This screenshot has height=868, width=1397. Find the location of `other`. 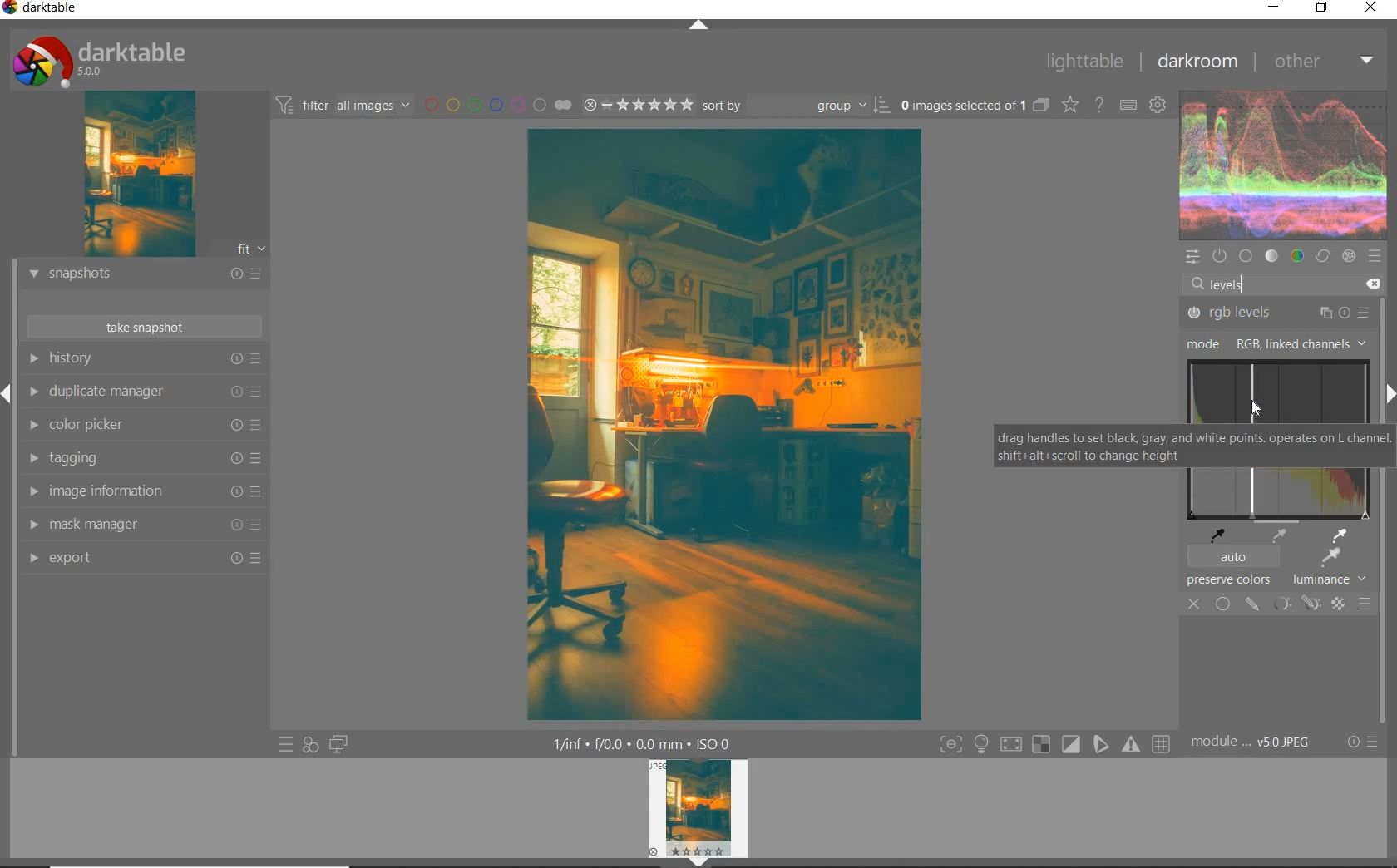

other is located at coordinates (1323, 62).